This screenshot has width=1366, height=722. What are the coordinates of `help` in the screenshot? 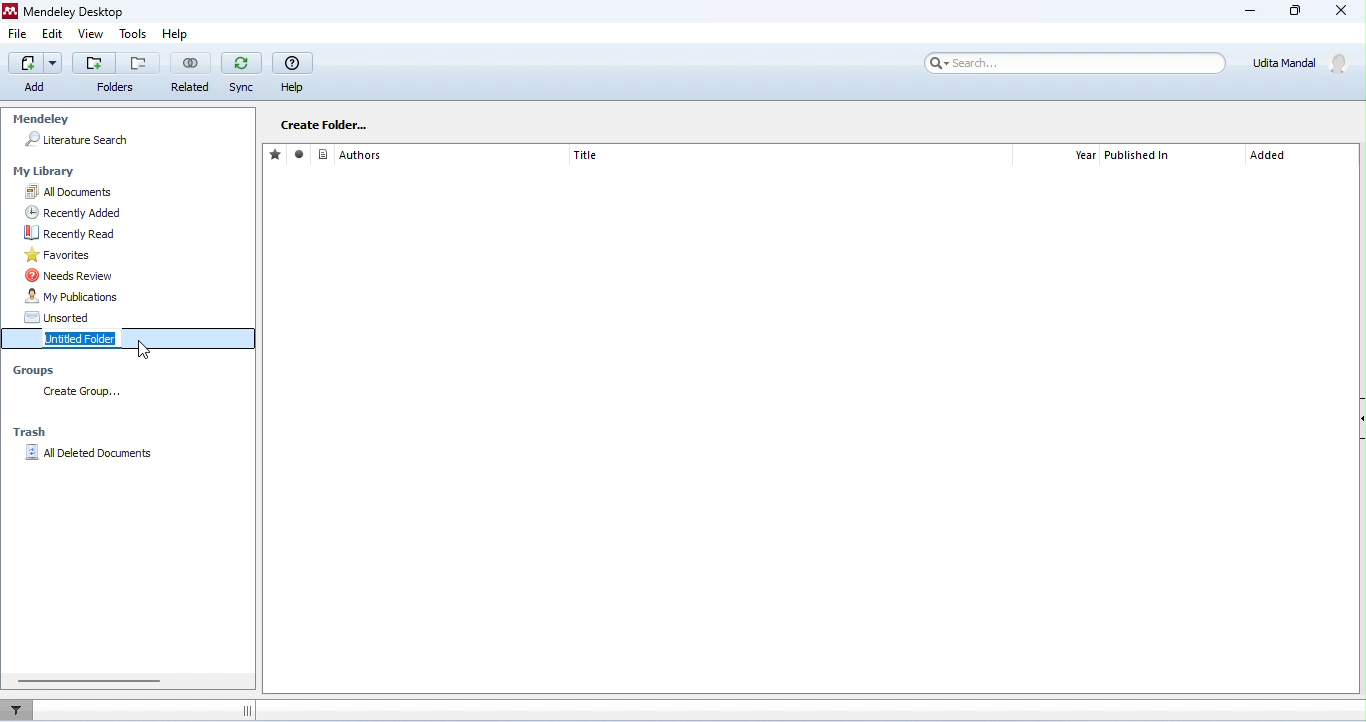 It's located at (183, 35).